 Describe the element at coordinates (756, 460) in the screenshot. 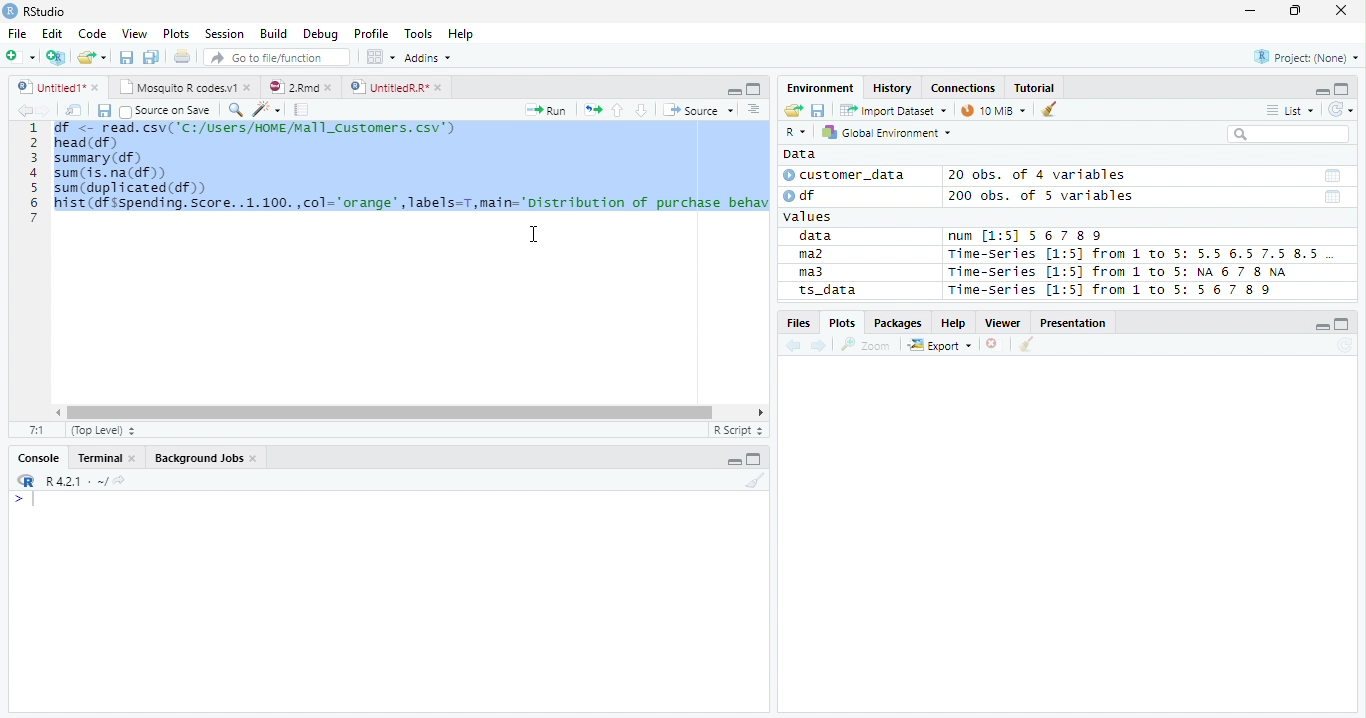

I see `Maximize` at that location.